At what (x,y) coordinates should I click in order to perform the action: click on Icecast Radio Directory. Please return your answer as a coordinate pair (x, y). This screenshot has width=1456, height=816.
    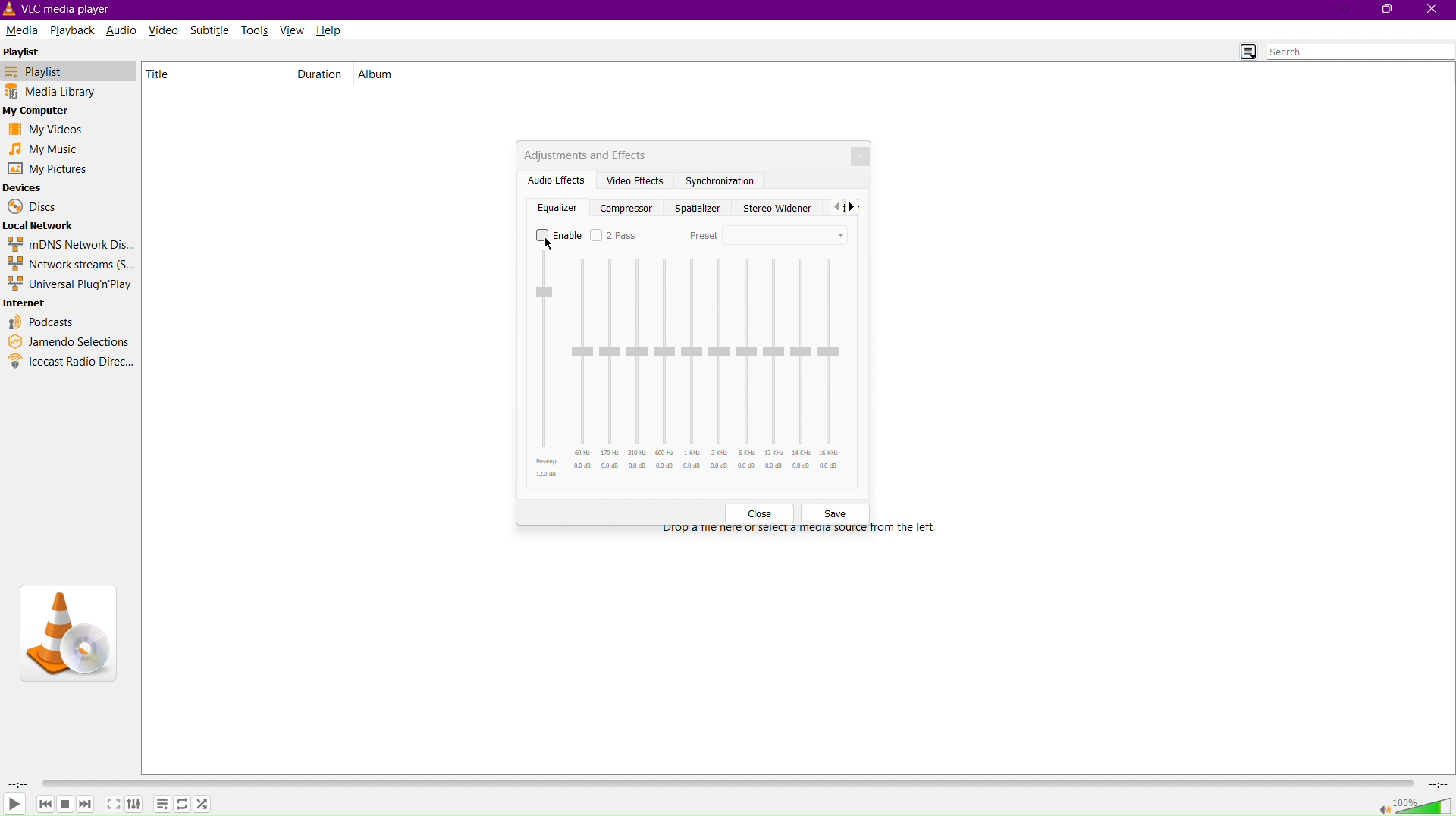
    Looking at the image, I should click on (71, 364).